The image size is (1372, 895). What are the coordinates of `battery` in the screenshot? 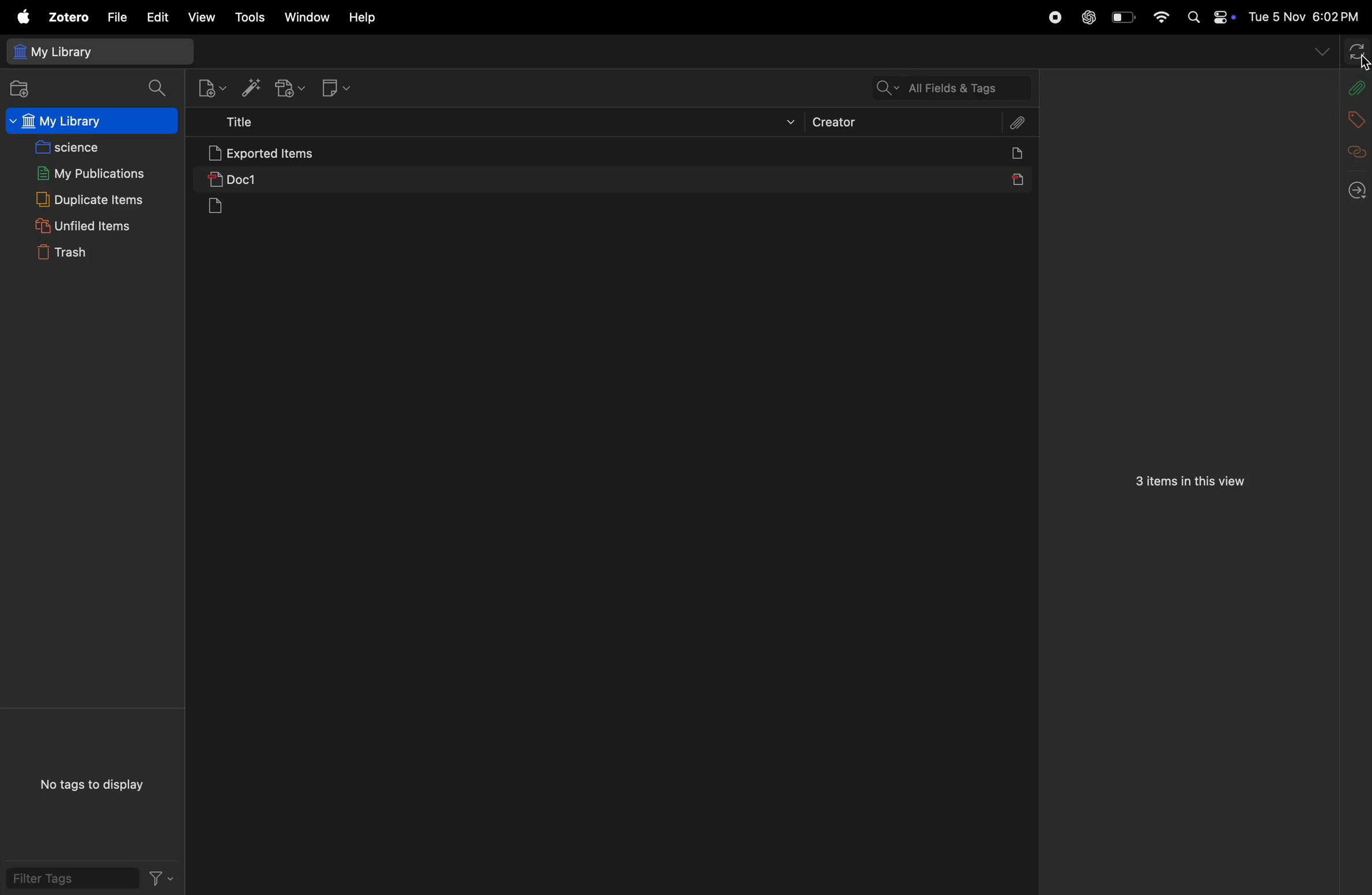 It's located at (1125, 17).